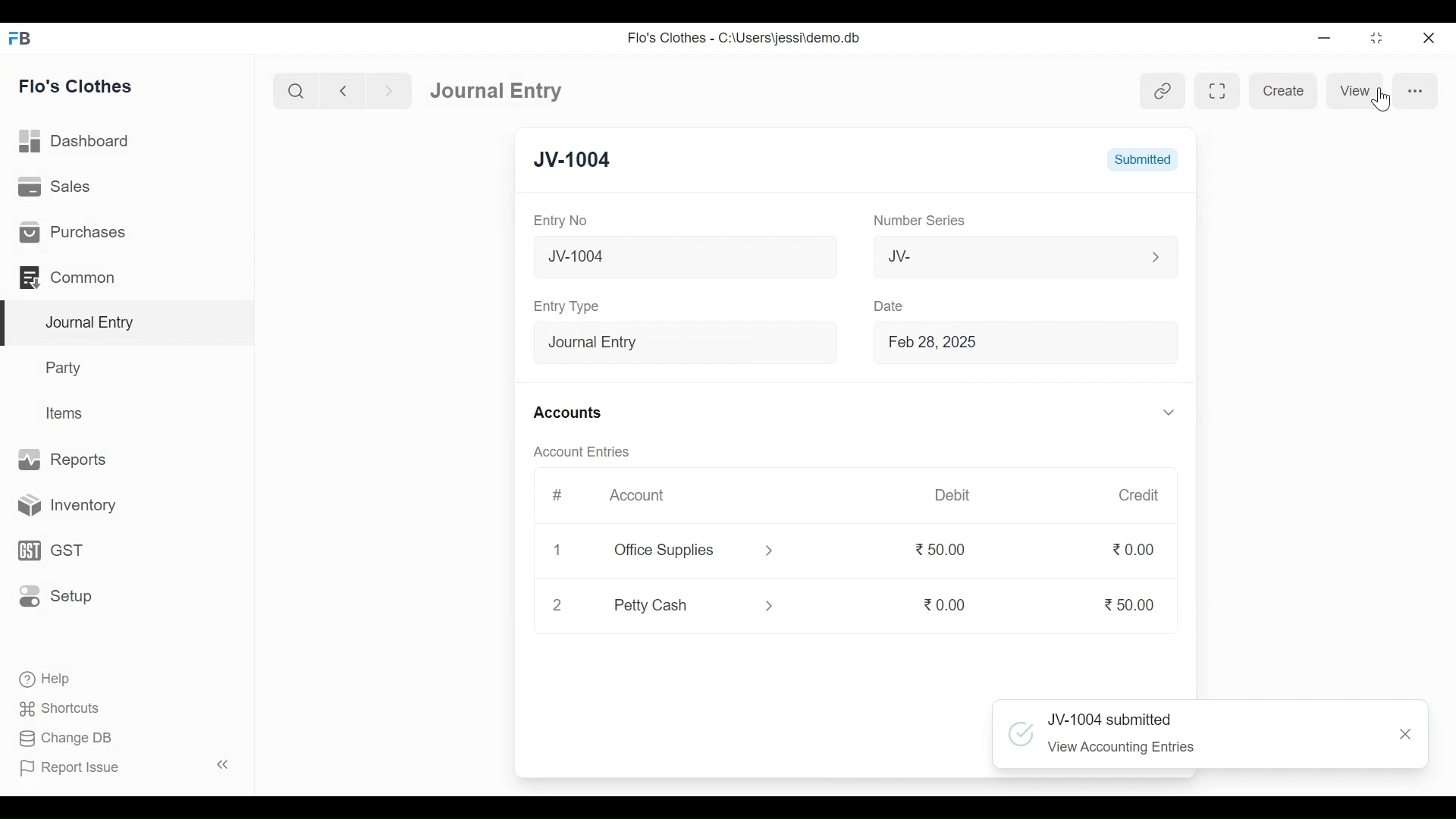 The width and height of the screenshot is (1456, 819). What do you see at coordinates (1380, 99) in the screenshot?
I see `Cursor` at bounding box center [1380, 99].